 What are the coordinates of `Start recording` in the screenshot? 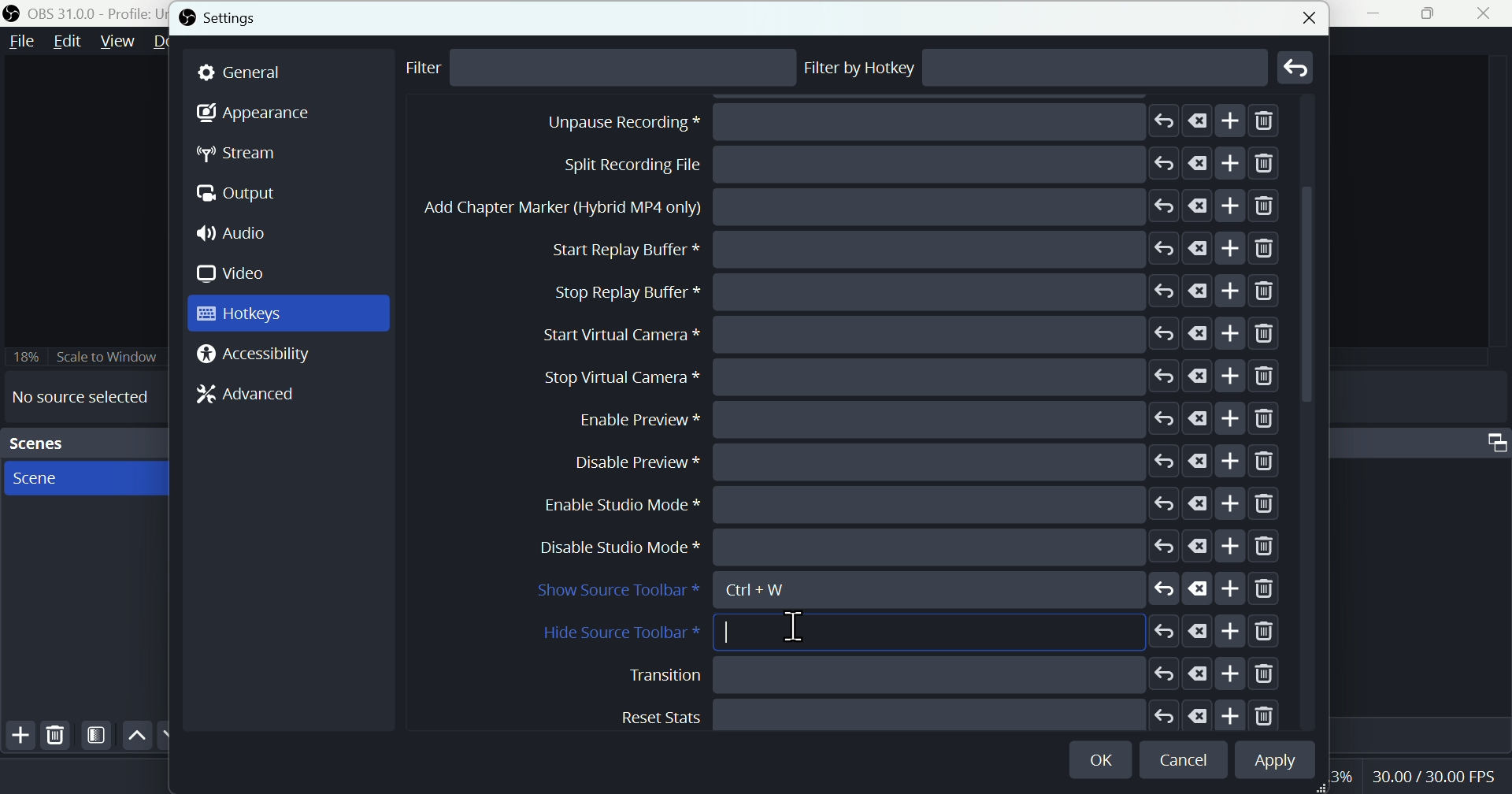 It's located at (886, 165).